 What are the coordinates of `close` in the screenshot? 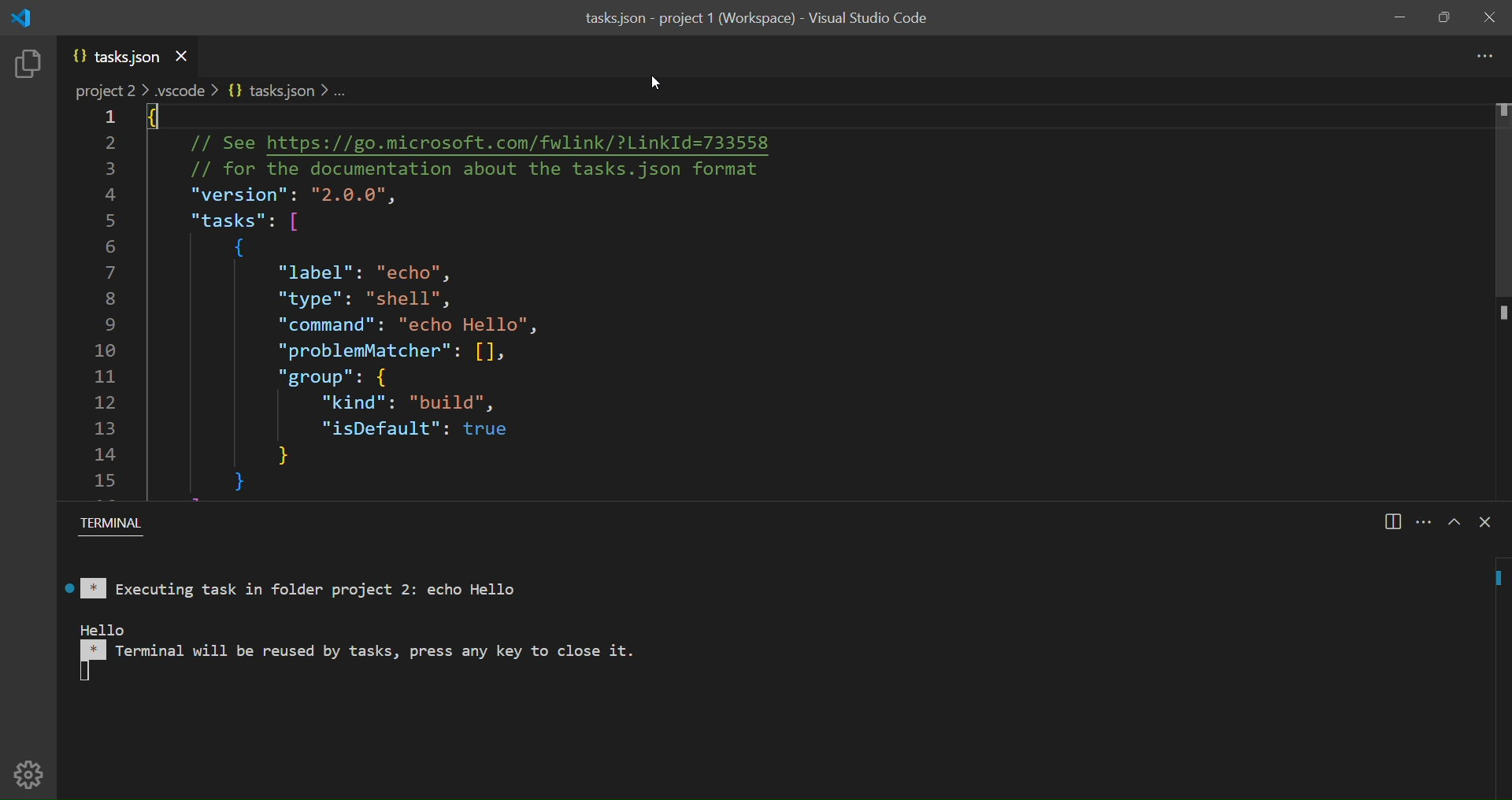 It's located at (1491, 17).